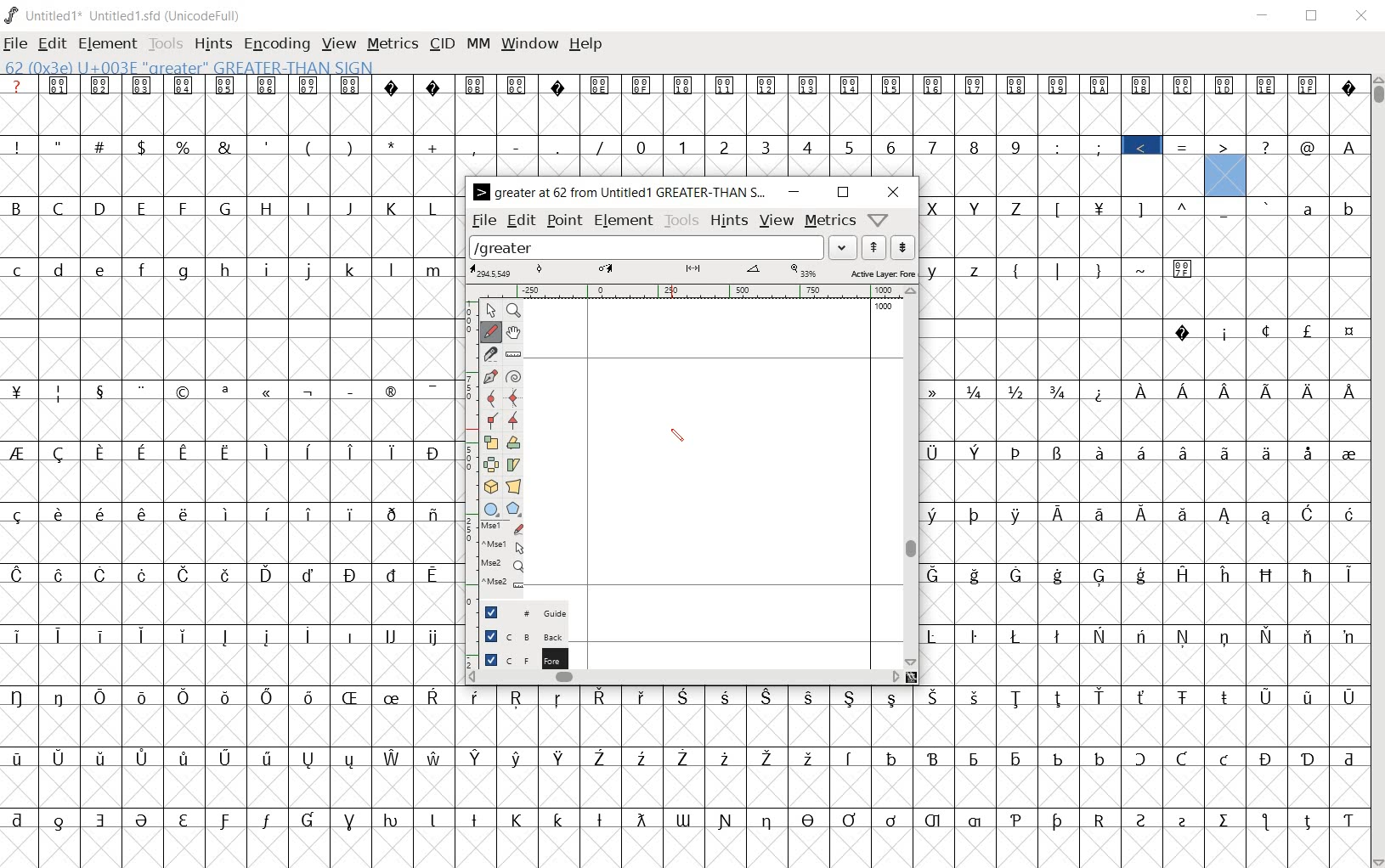 The height and width of the screenshot is (868, 1385). What do you see at coordinates (676, 436) in the screenshot?
I see `pen tool/CURSOR LOCATION` at bounding box center [676, 436].